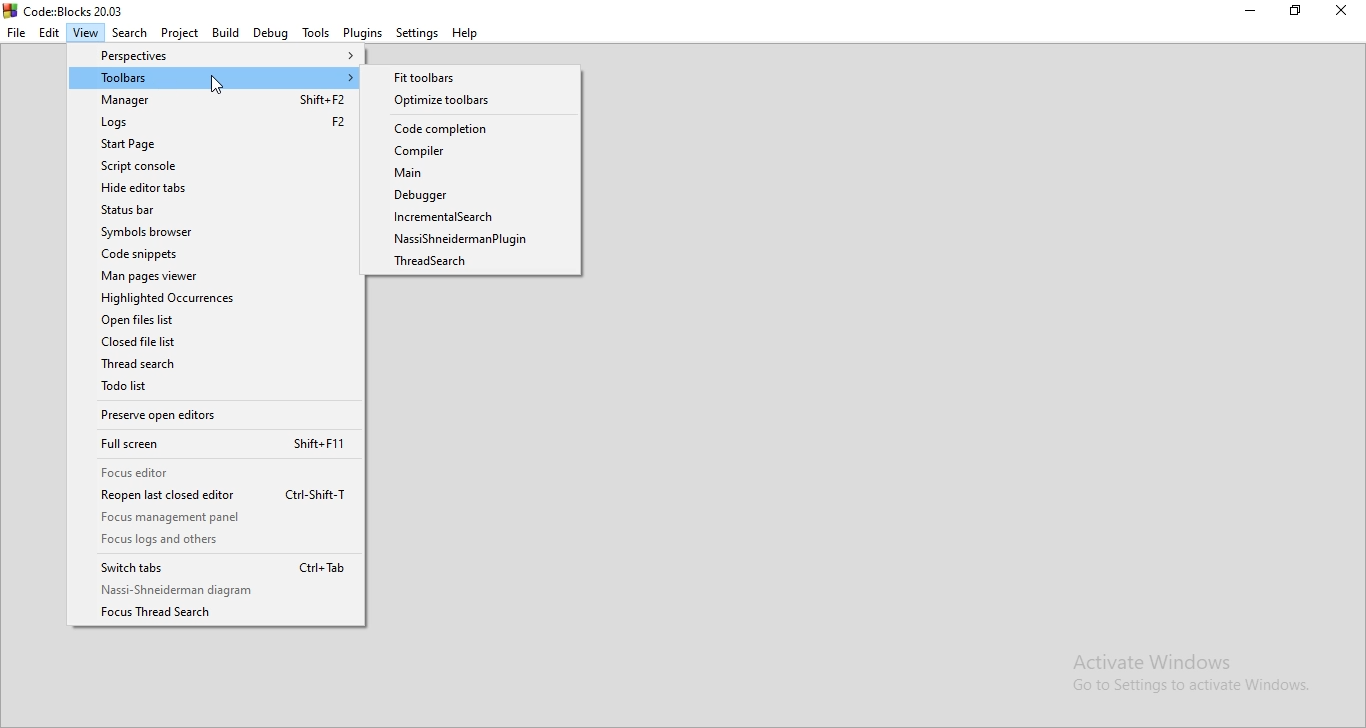 This screenshot has width=1366, height=728. Describe the element at coordinates (216, 124) in the screenshot. I see `Logs ` at that location.